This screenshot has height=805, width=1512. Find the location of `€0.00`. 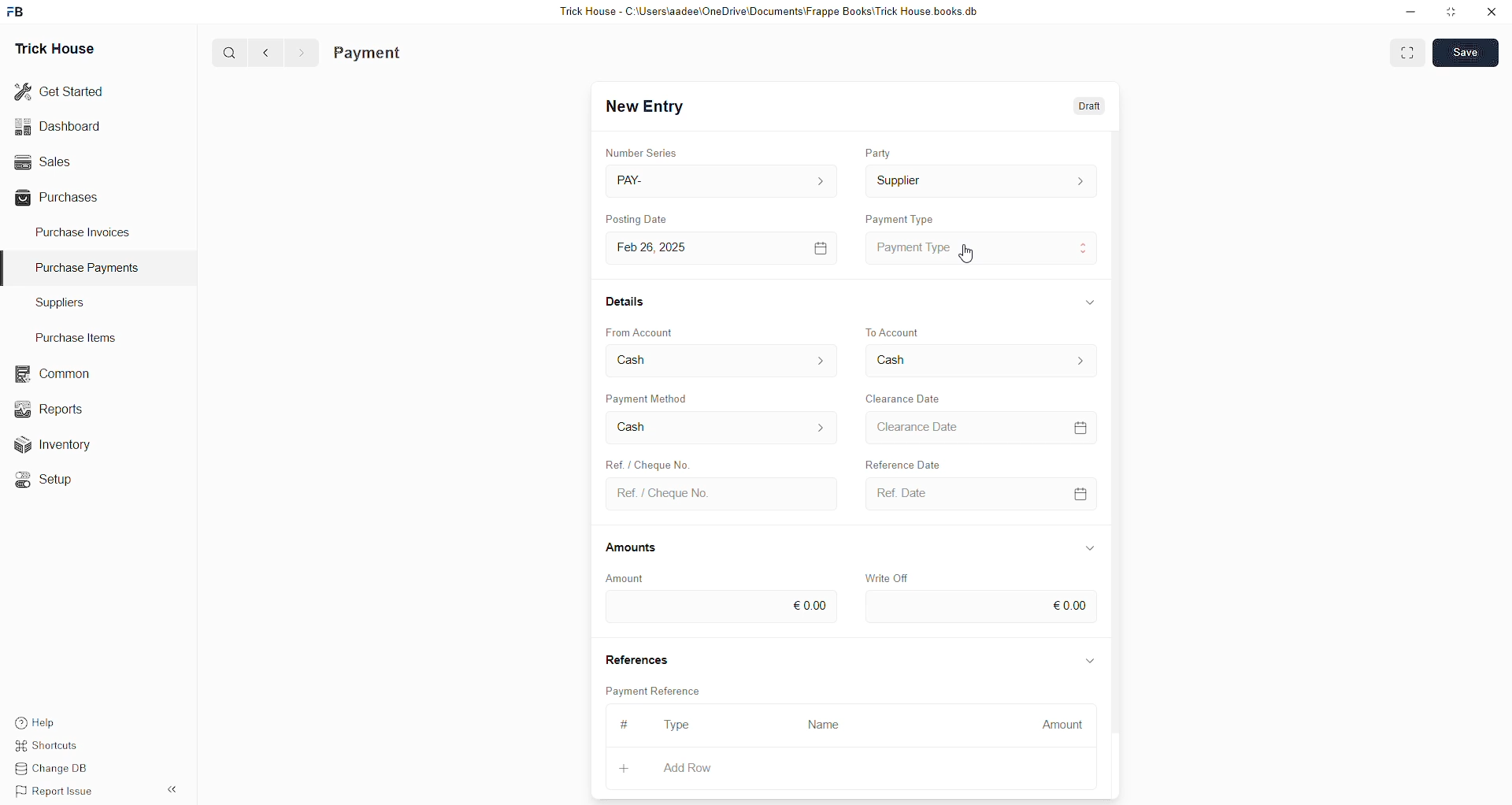

€0.00 is located at coordinates (980, 607).